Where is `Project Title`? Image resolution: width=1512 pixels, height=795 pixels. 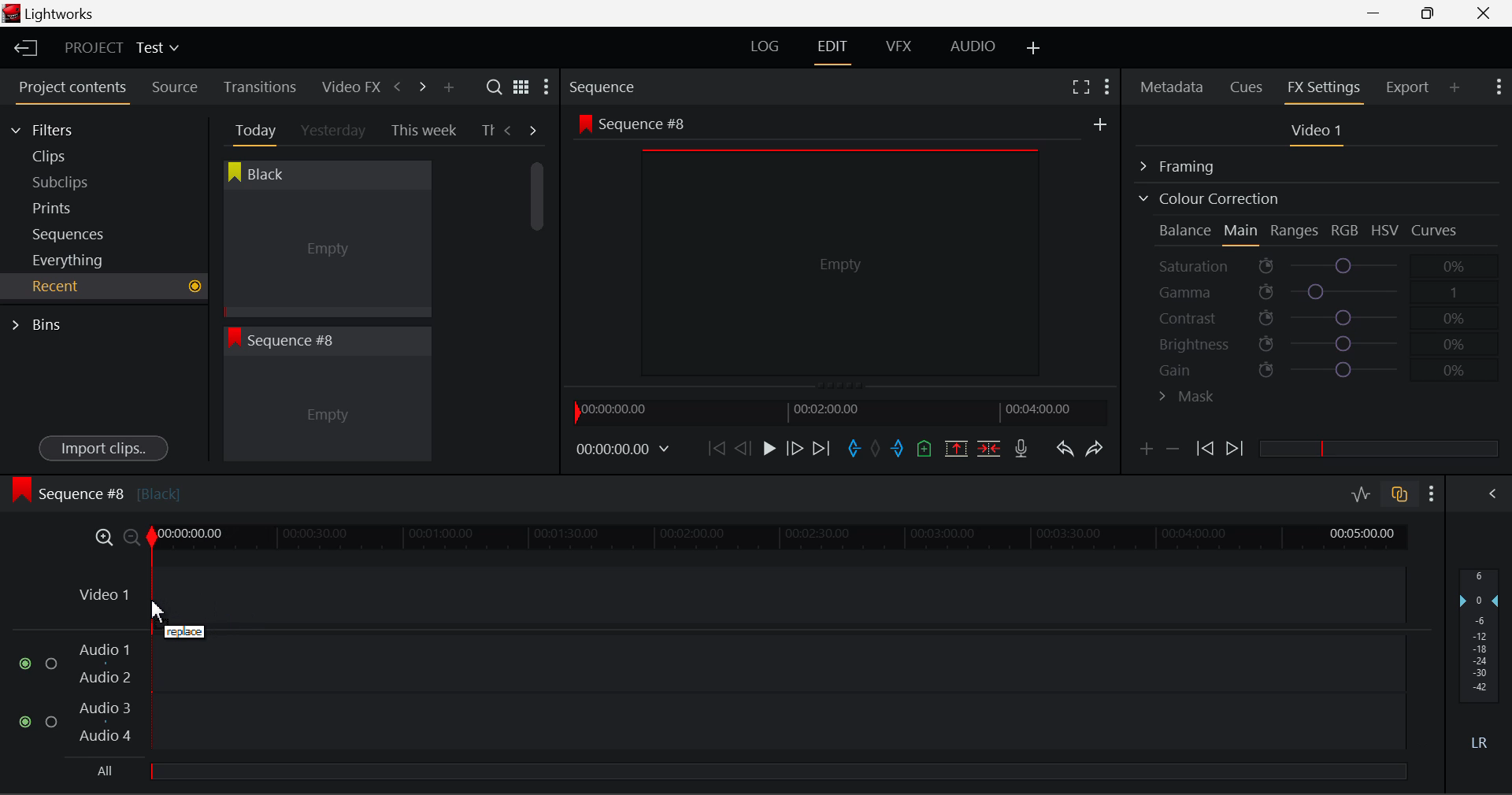 Project Title is located at coordinates (122, 49).